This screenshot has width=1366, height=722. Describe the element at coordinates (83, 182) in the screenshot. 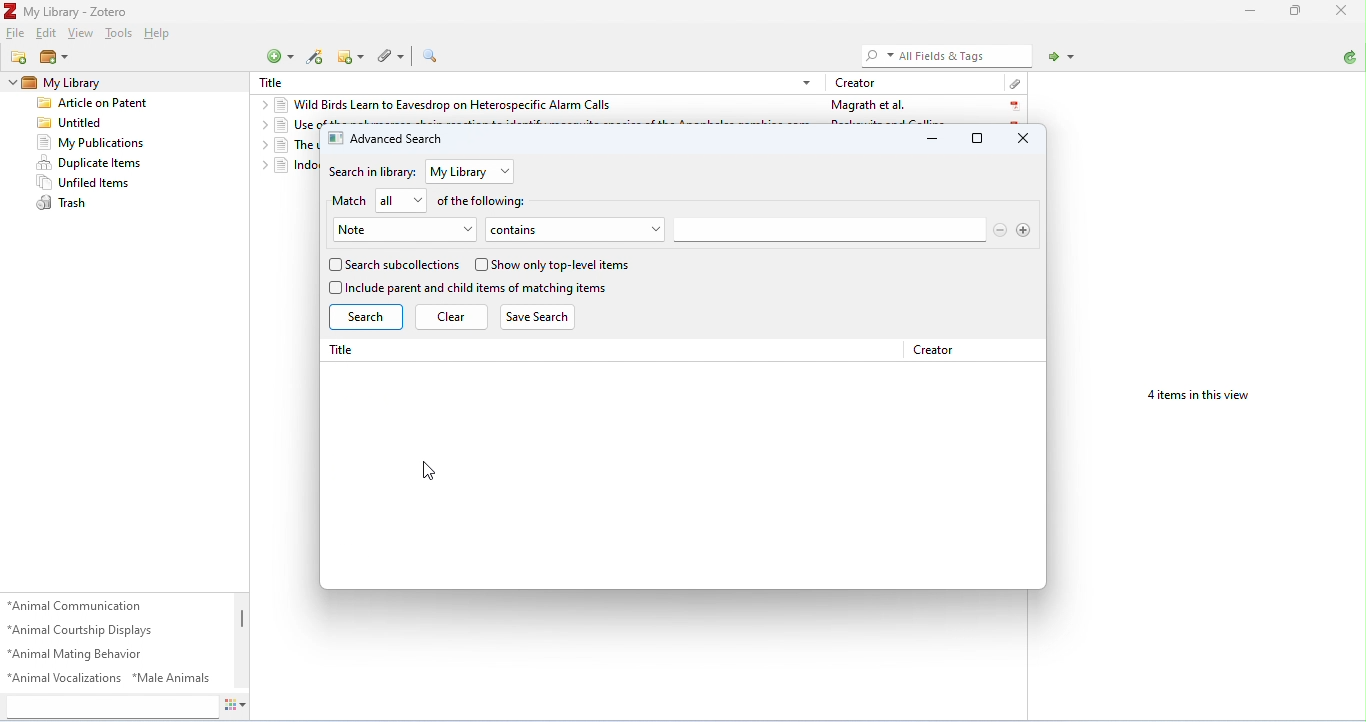

I see `unfiled items` at that location.